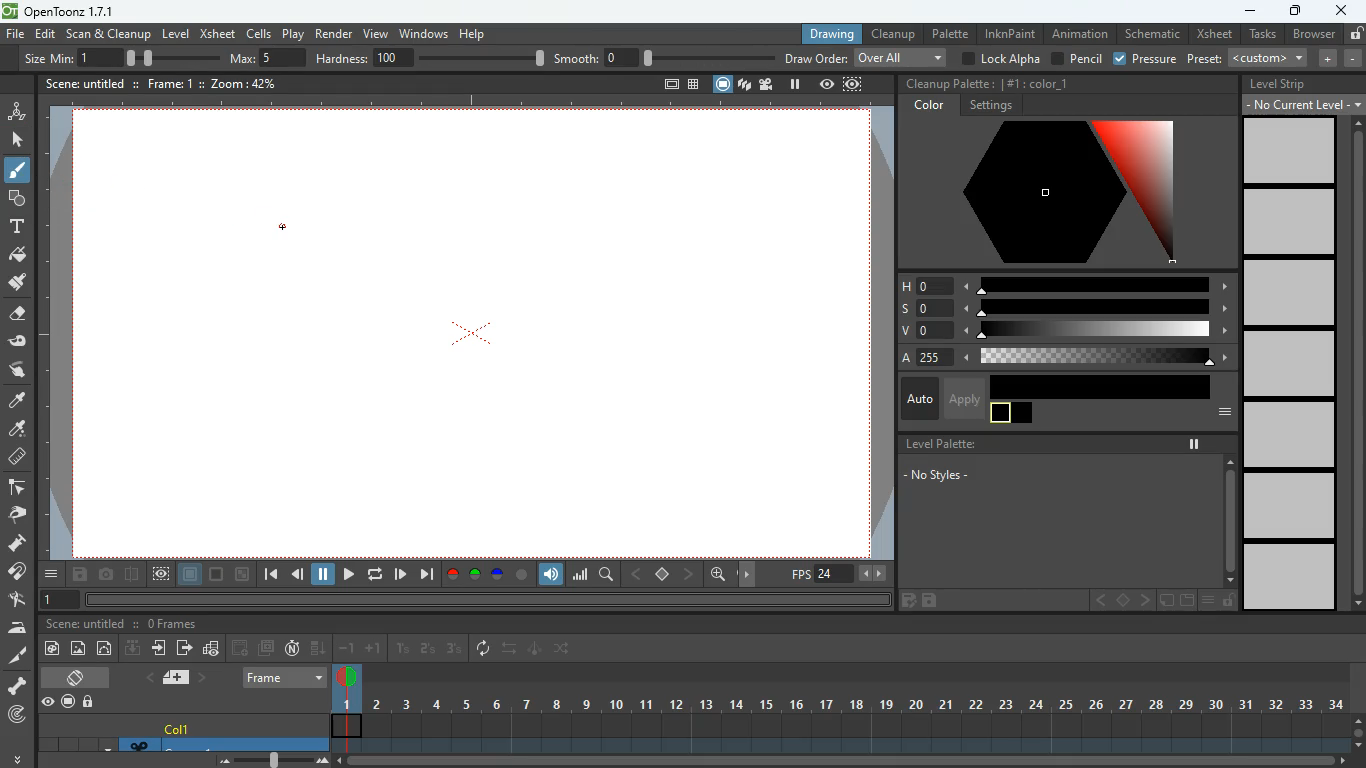 The image size is (1366, 768). Describe the element at coordinates (90, 703) in the screenshot. I see `unlock` at that location.